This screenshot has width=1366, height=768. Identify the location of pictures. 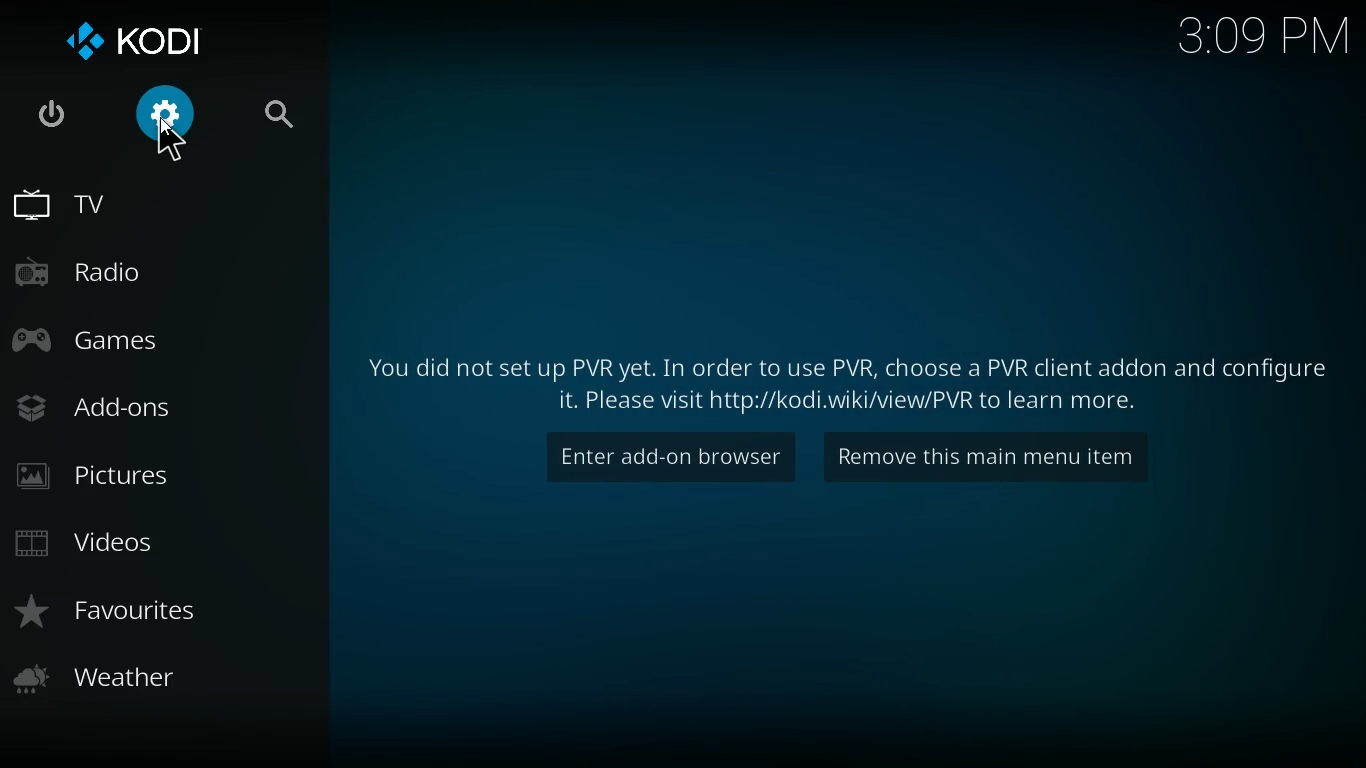
(129, 470).